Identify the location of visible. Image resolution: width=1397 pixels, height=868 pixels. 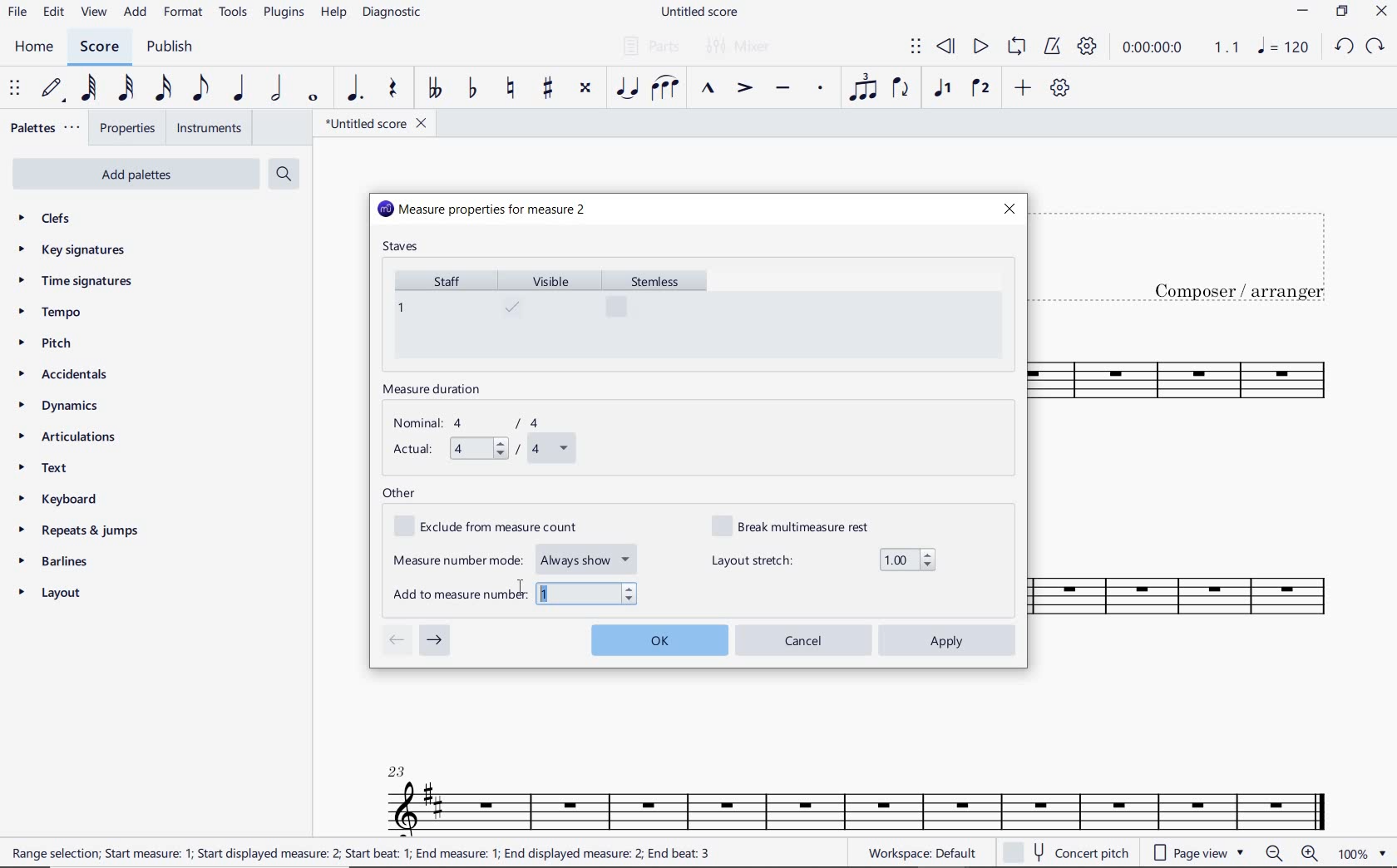
(550, 313).